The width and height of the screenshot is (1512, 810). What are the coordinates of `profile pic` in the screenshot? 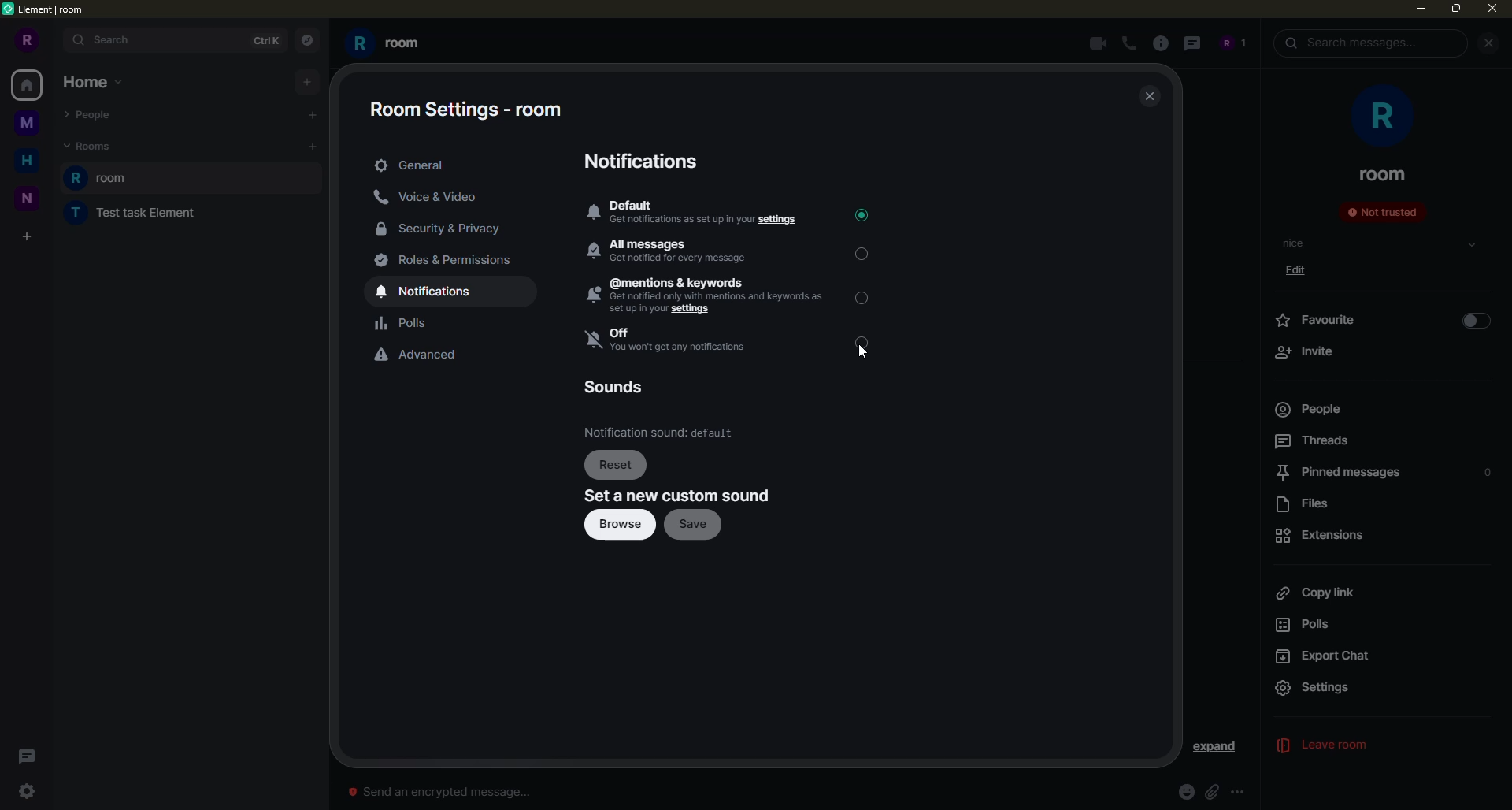 It's located at (1378, 115).